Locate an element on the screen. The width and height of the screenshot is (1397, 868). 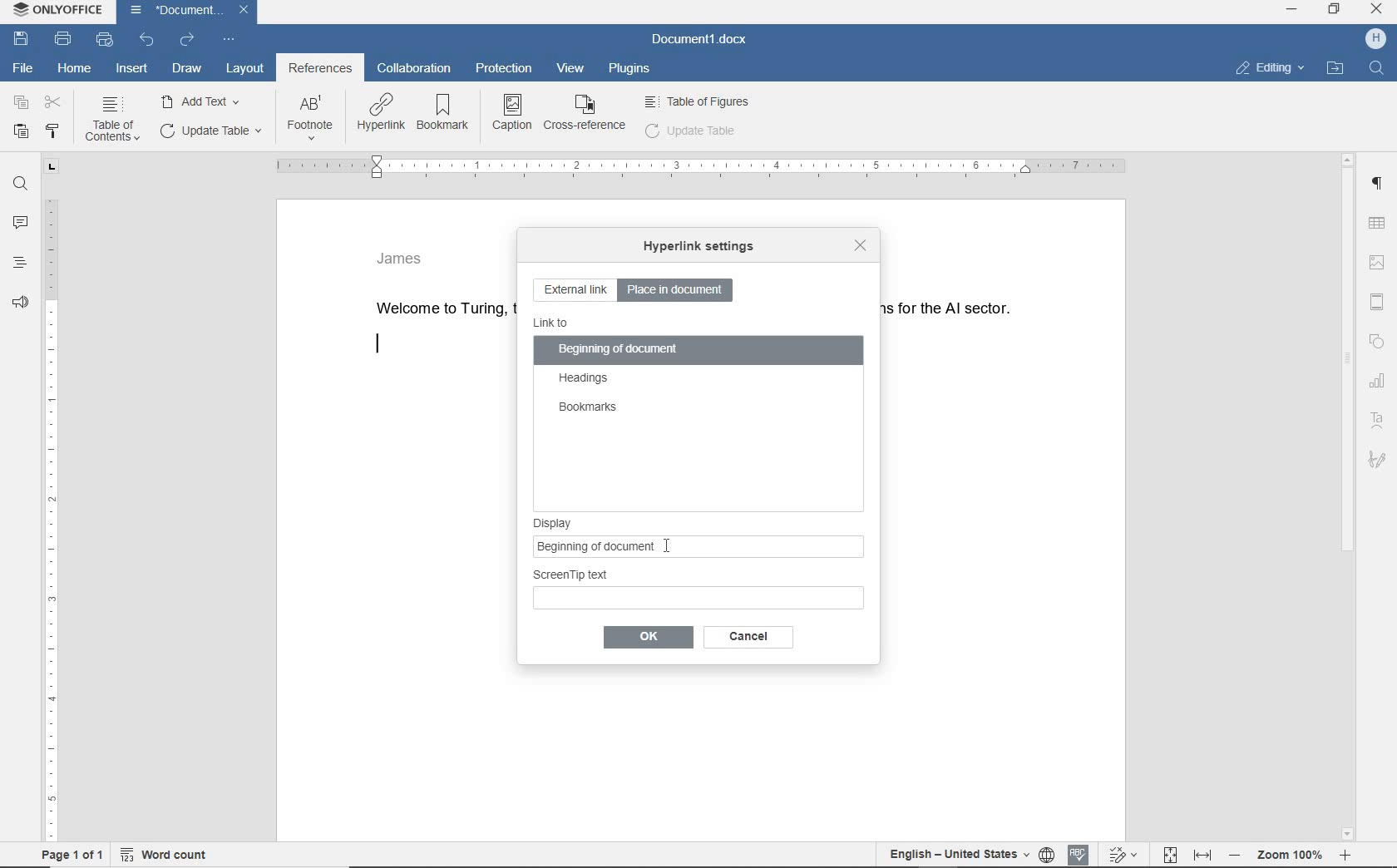
Page 1 of 1 is located at coordinates (67, 856).